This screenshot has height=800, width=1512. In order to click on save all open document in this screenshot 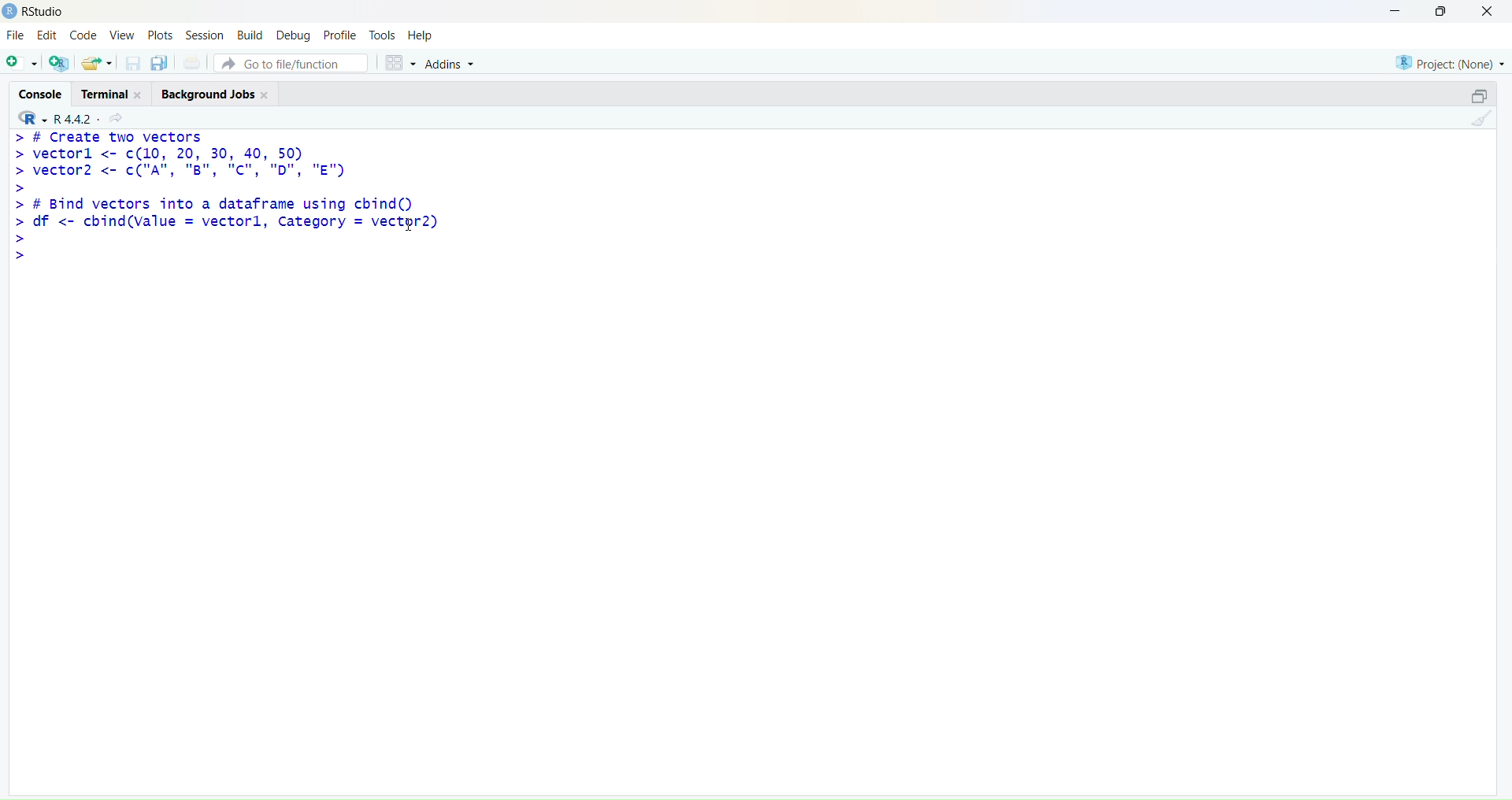, I will do `click(161, 64)`.